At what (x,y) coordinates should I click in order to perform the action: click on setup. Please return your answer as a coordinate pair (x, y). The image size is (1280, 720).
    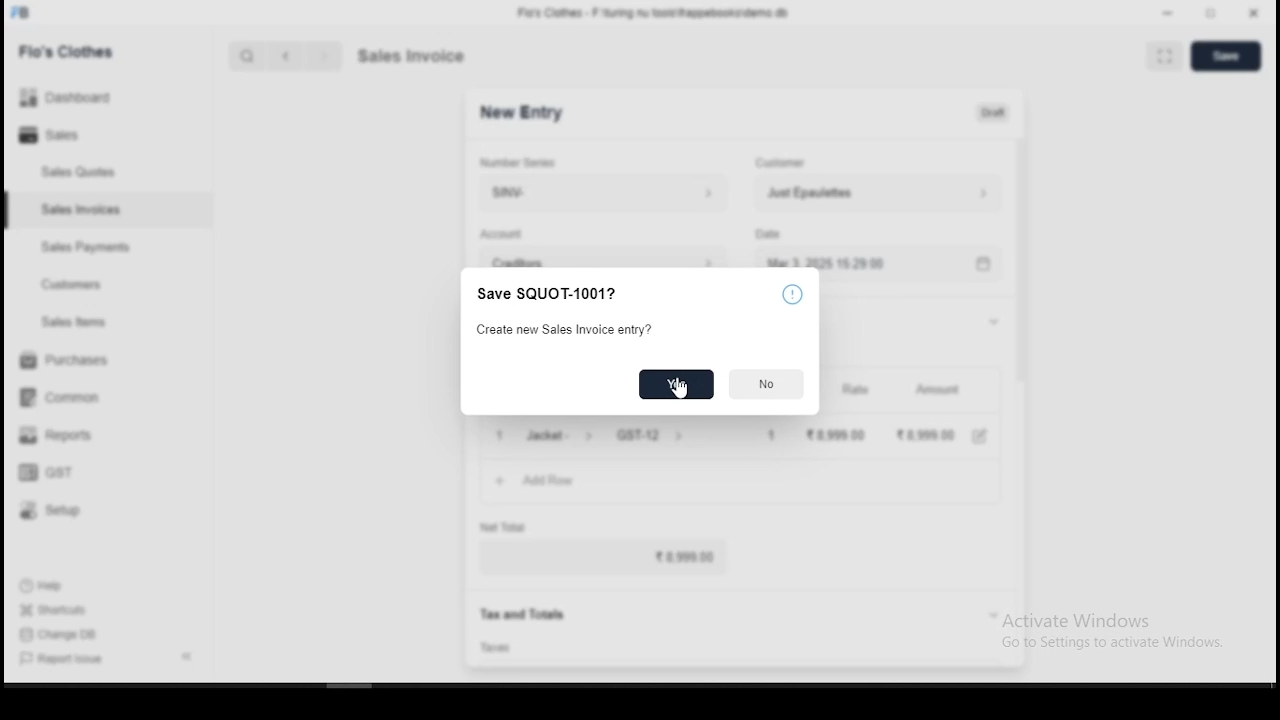
    Looking at the image, I should click on (66, 511).